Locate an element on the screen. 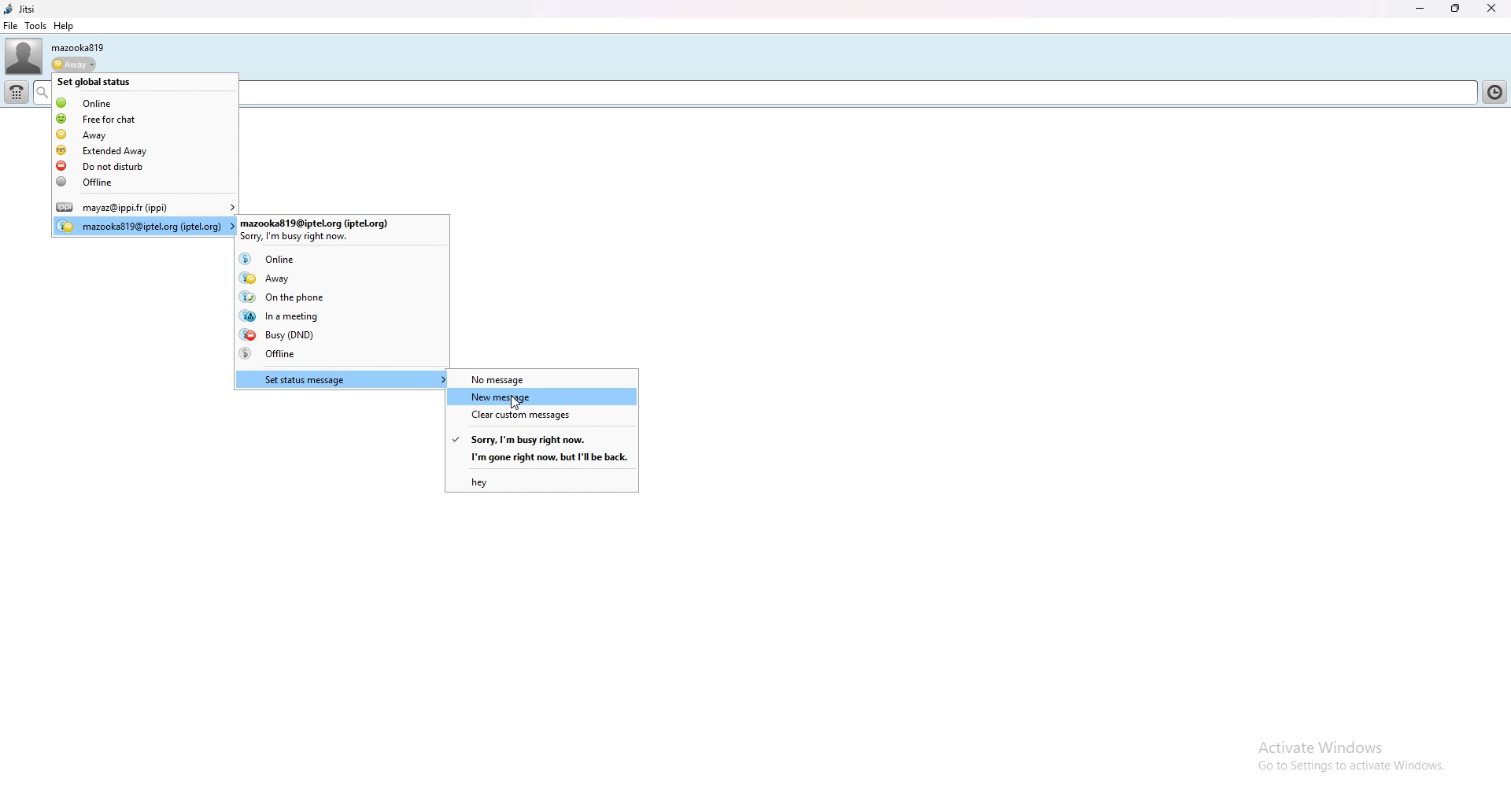 The height and width of the screenshot is (812, 1511). new message is located at coordinates (541, 393).